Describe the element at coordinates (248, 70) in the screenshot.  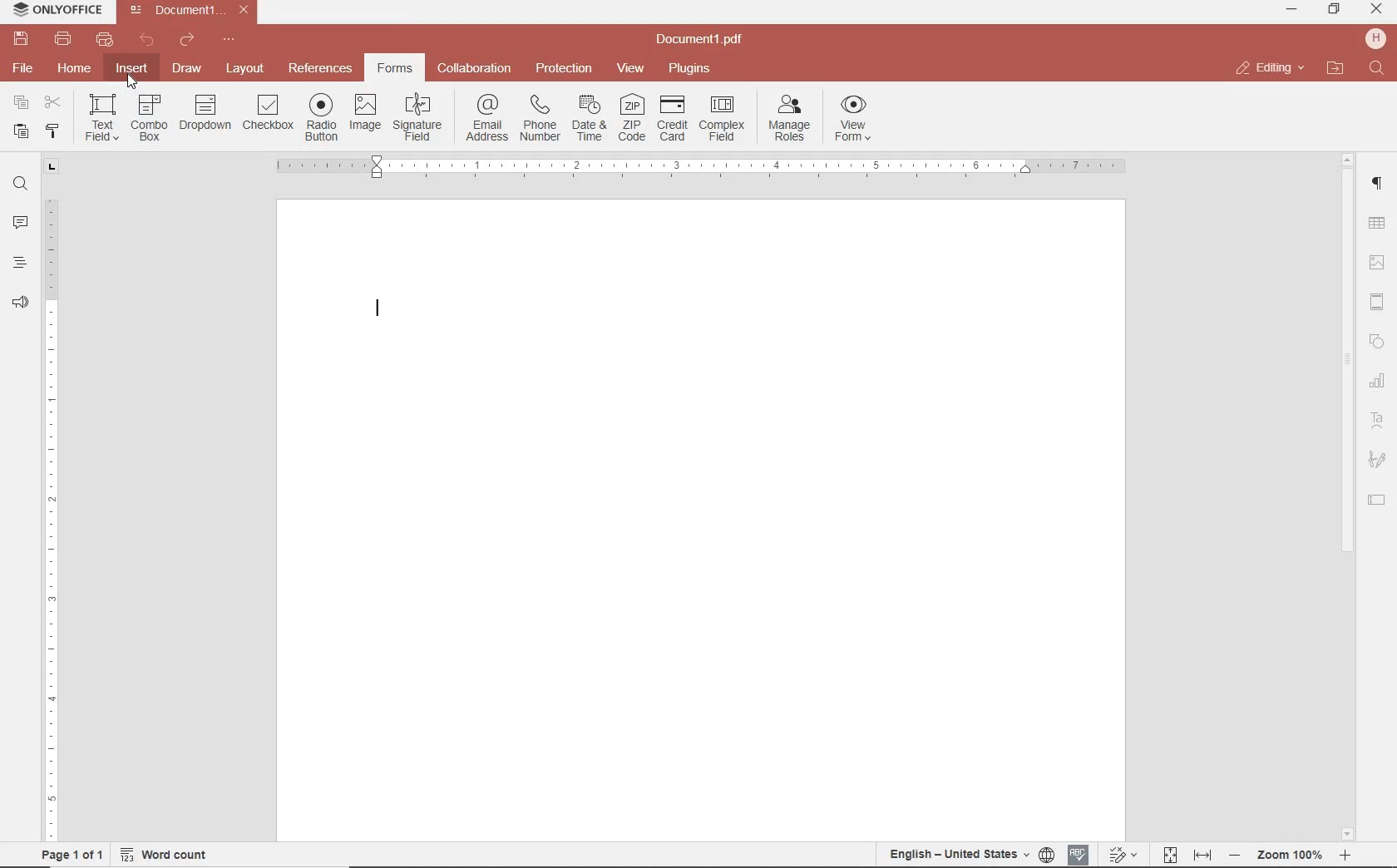
I see `layout` at that location.